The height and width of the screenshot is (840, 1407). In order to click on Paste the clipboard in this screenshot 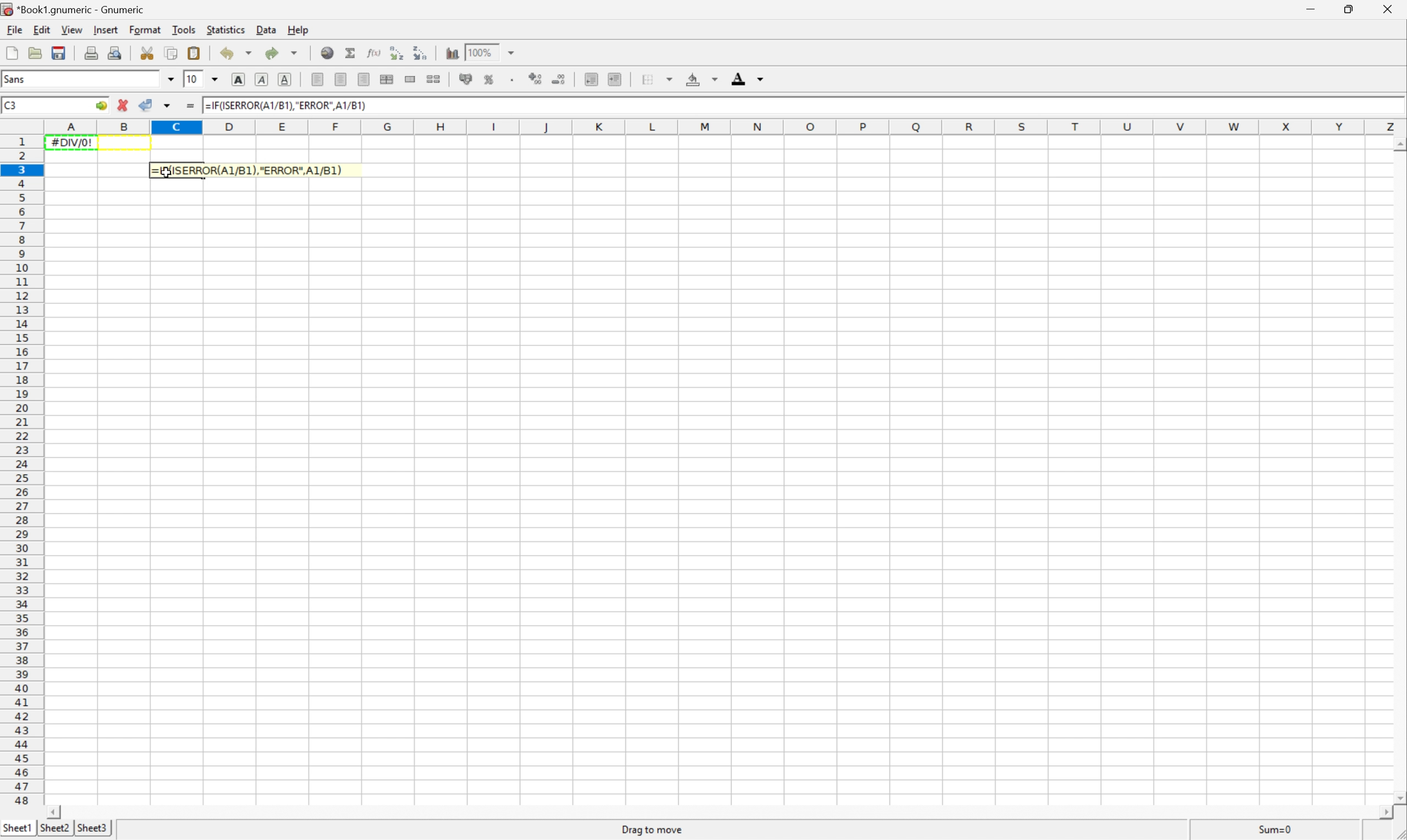, I will do `click(195, 53)`.